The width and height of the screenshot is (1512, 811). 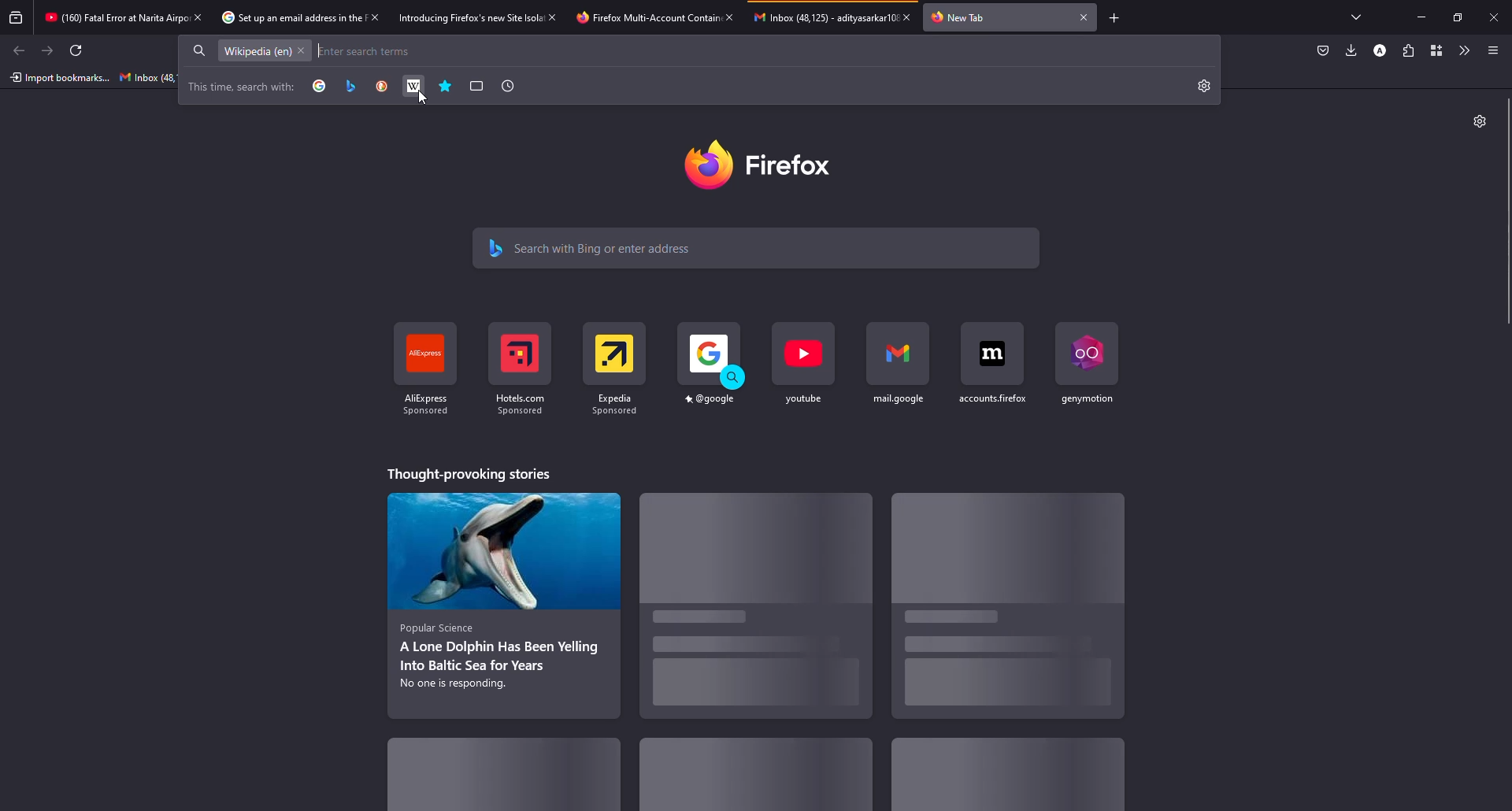 What do you see at coordinates (608, 247) in the screenshot?
I see `search` at bounding box center [608, 247].